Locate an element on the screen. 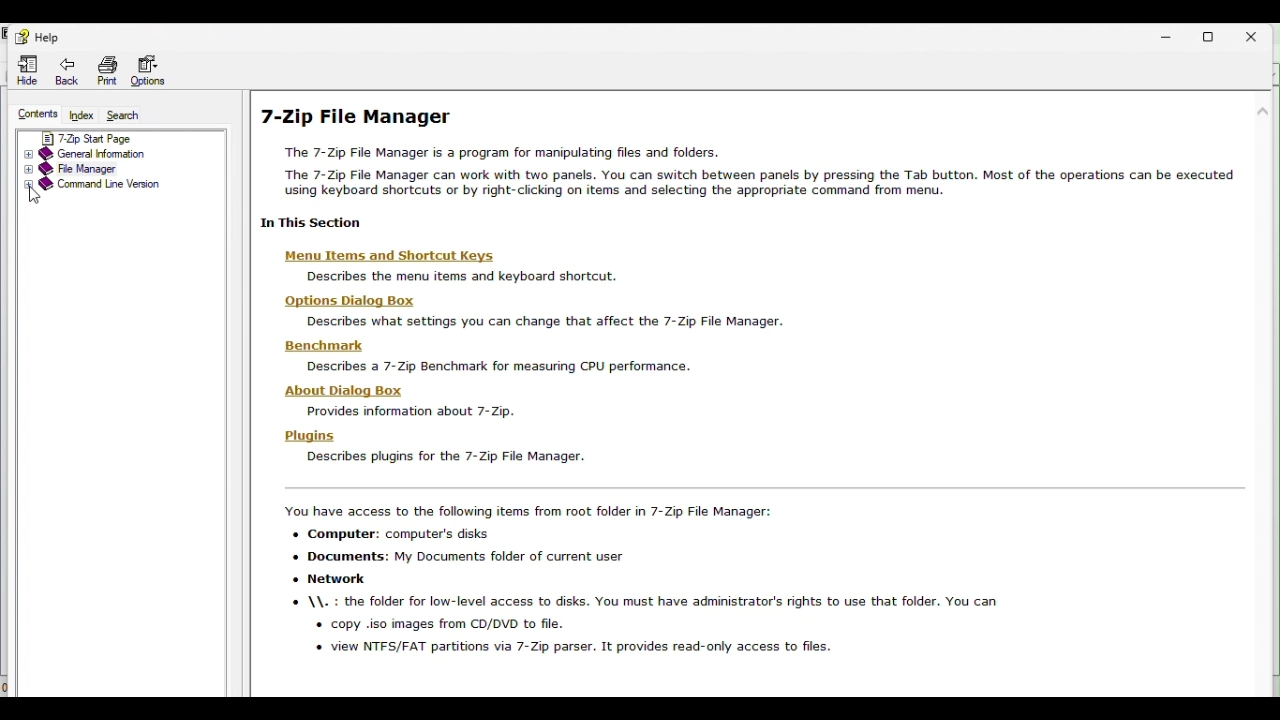 Image resolution: width=1280 pixels, height=720 pixels. 7 zip file manager help page is located at coordinates (767, 168).